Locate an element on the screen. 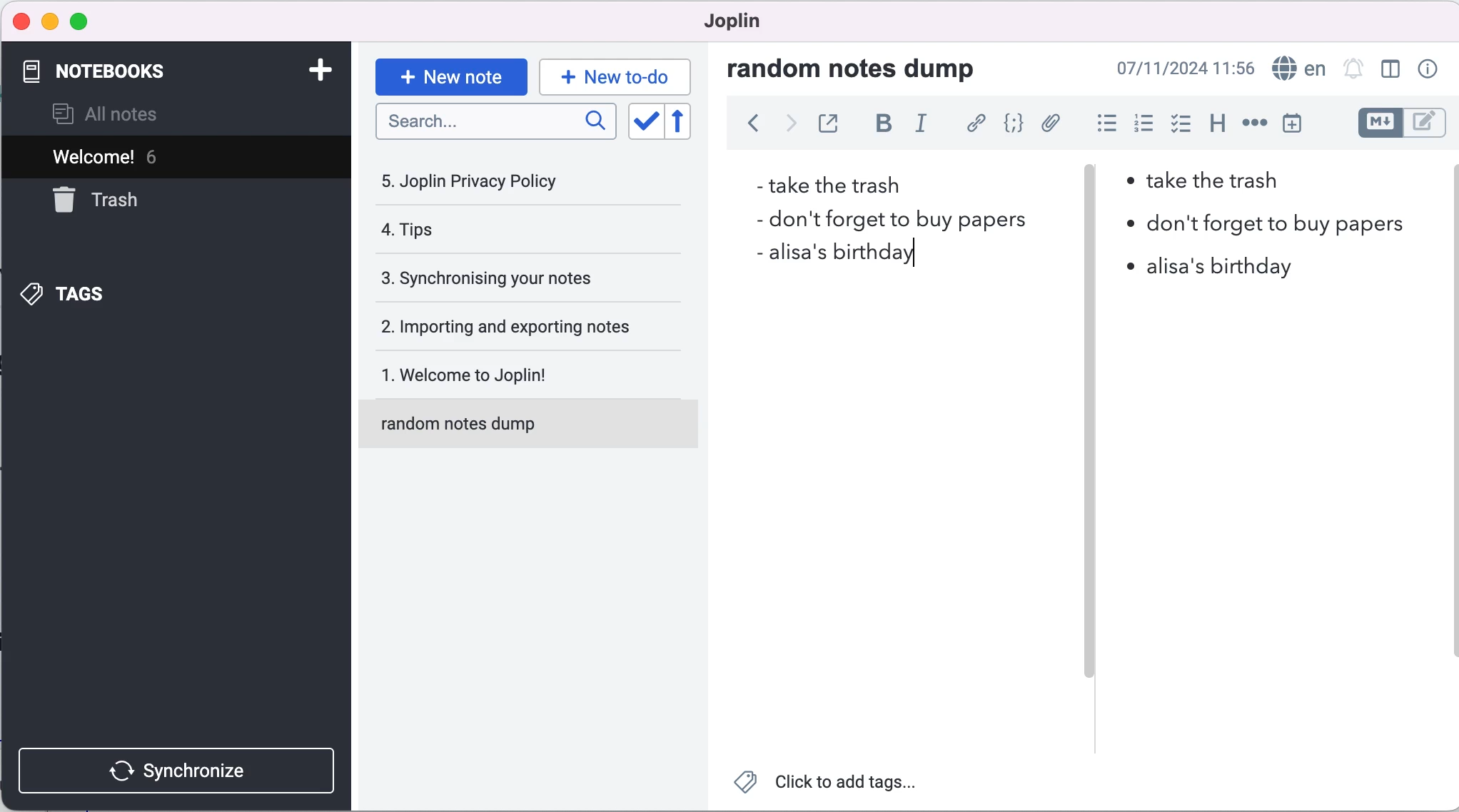 The image size is (1459, 812). italic is located at coordinates (923, 128).